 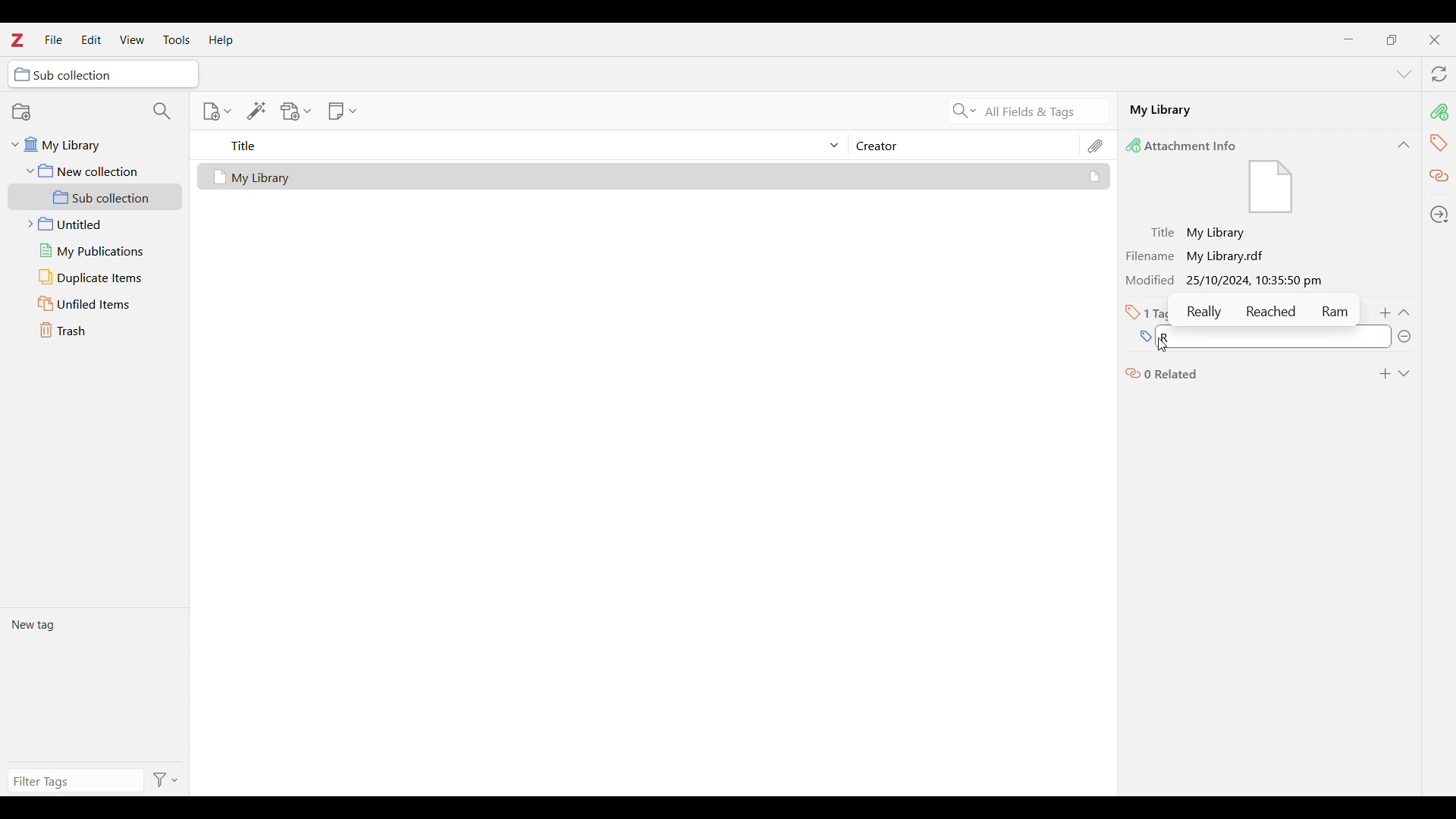 What do you see at coordinates (1349, 39) in the screenshot?
I see `Minimize` at bounding box center [1349, 39].